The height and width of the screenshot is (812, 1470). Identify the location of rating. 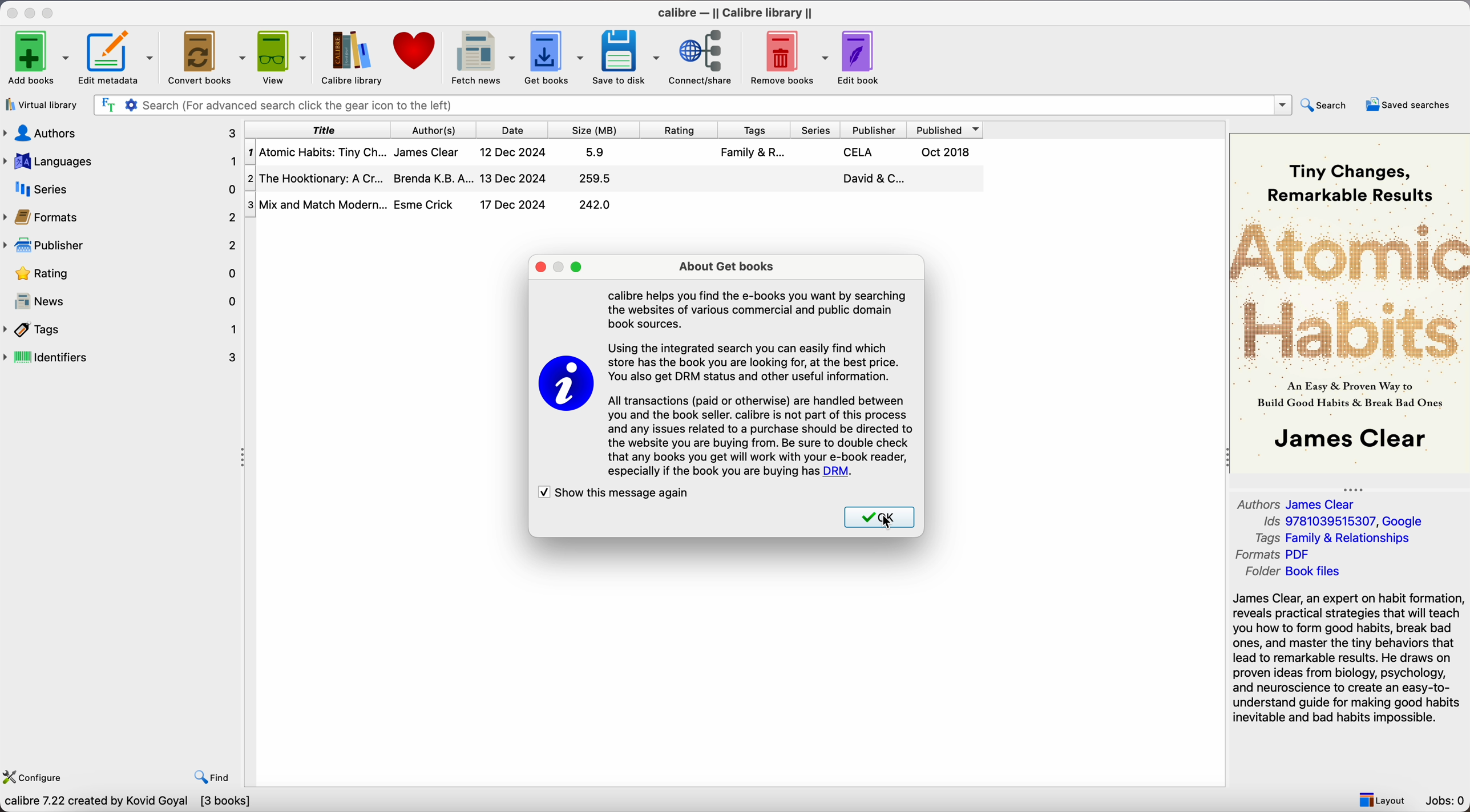
(123, 273).